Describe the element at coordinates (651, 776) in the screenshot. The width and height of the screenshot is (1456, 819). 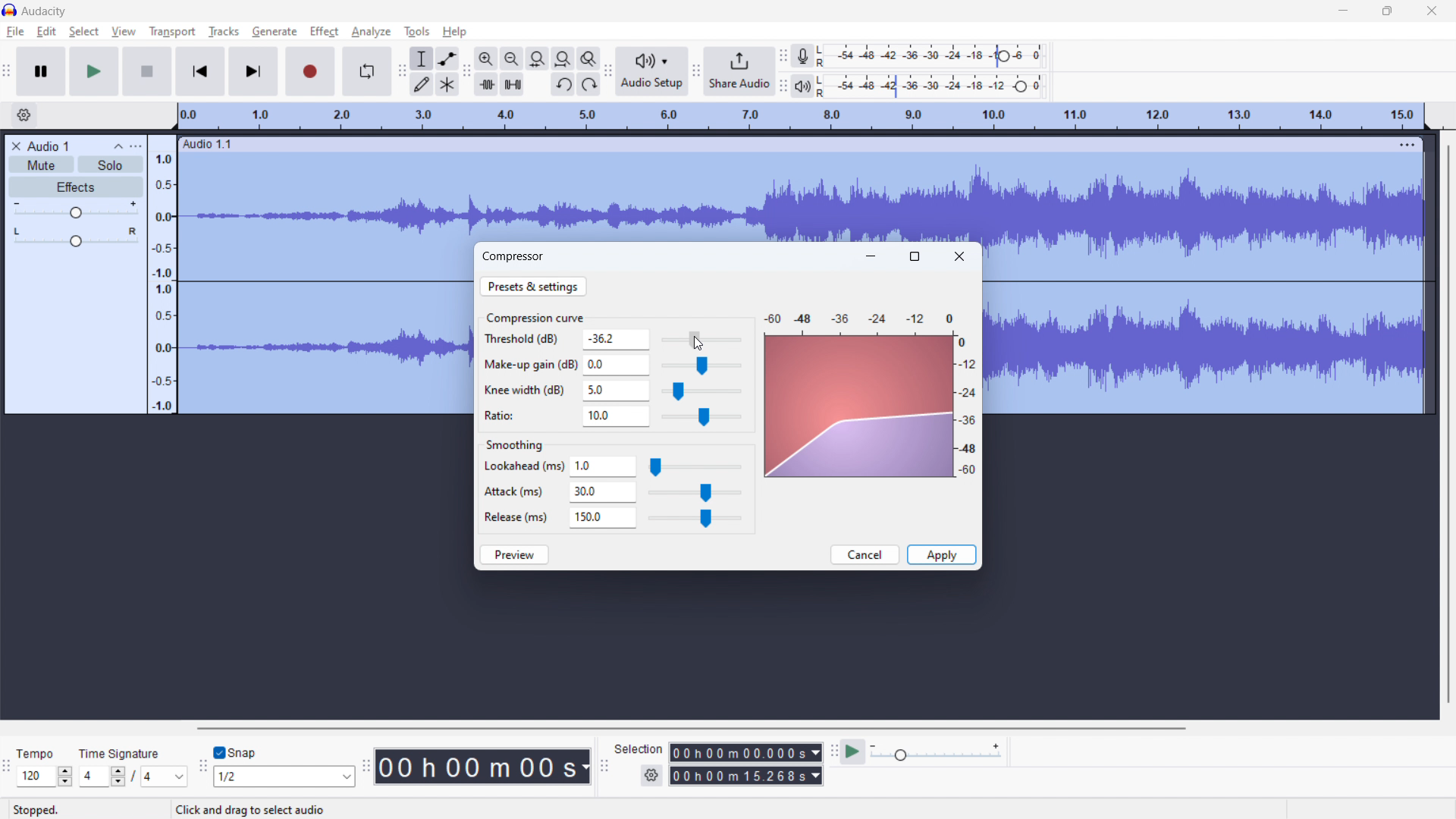
I see `settings` at that location.